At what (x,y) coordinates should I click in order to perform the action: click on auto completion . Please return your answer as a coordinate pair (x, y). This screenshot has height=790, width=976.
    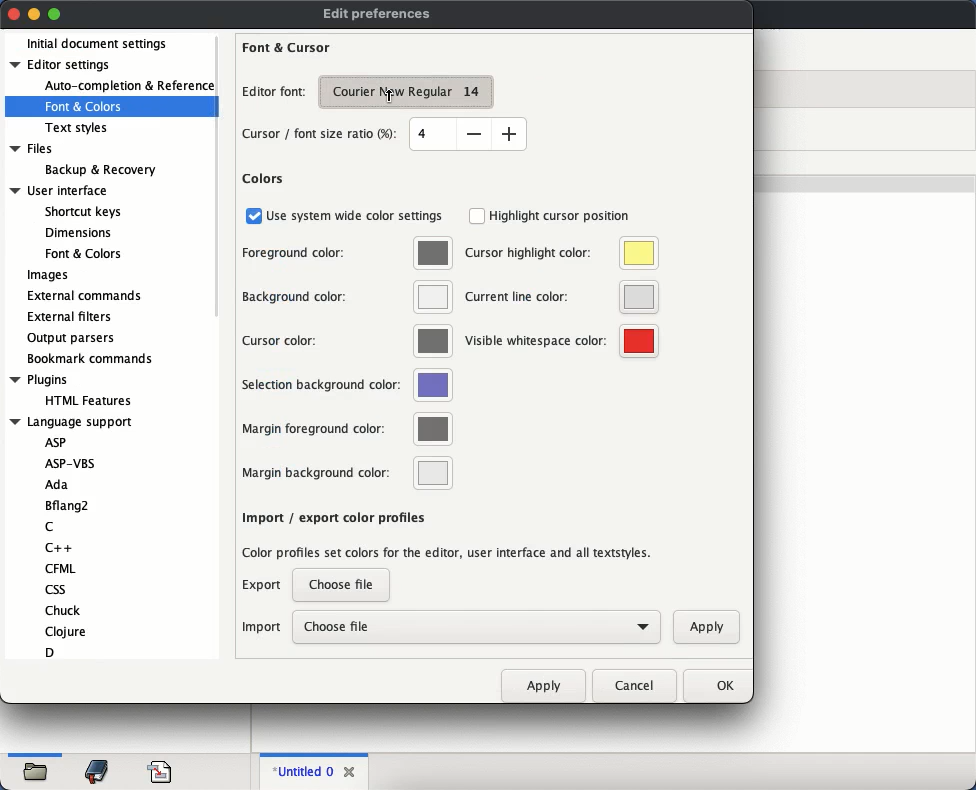
    Looking at the image, I should click on (129, 86).